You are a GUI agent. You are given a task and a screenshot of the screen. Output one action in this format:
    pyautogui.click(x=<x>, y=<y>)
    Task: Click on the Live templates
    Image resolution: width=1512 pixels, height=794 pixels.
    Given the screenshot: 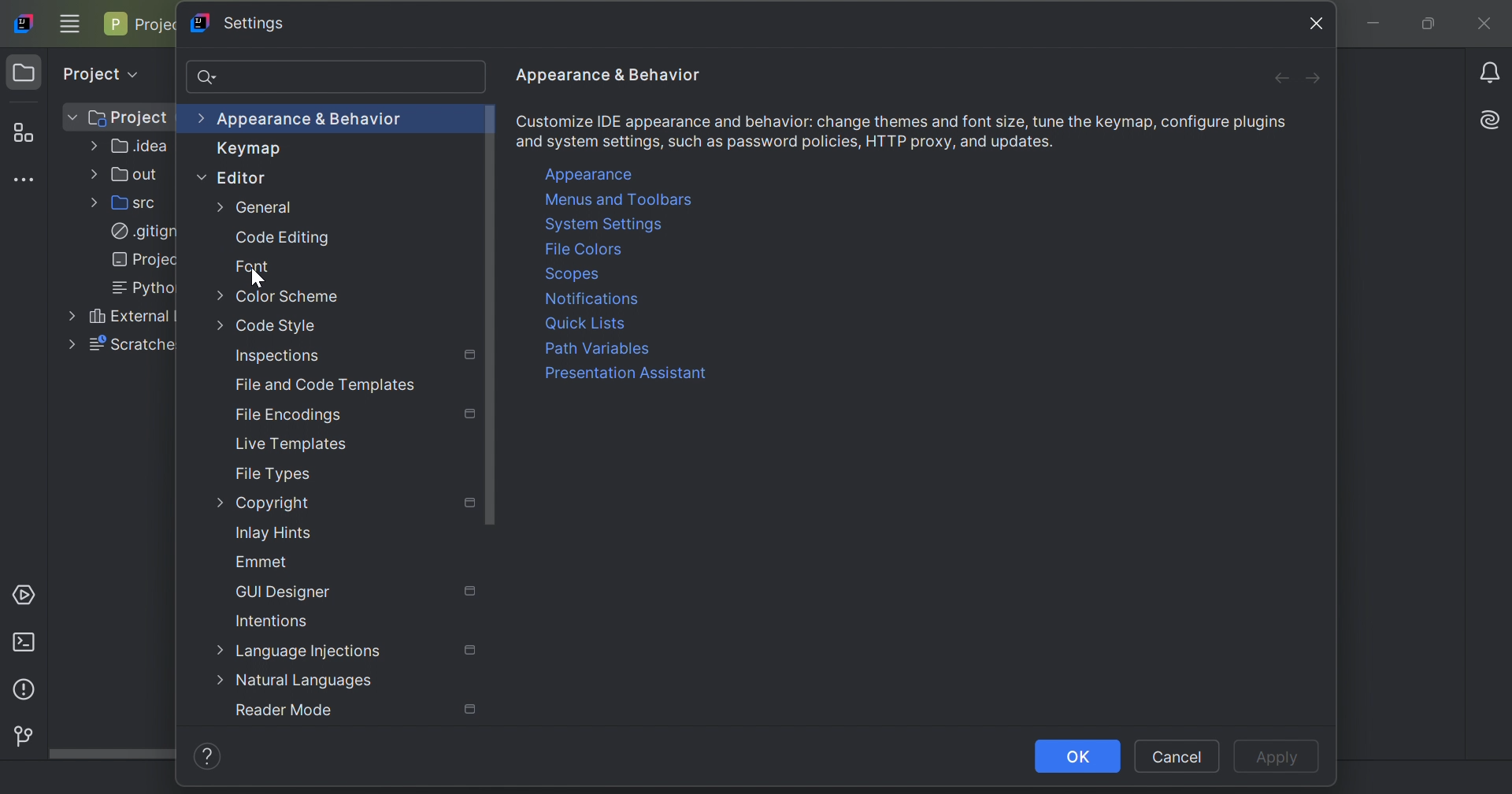 What is the action you would take?
    pyautogui.click(x=291, y=445)
    